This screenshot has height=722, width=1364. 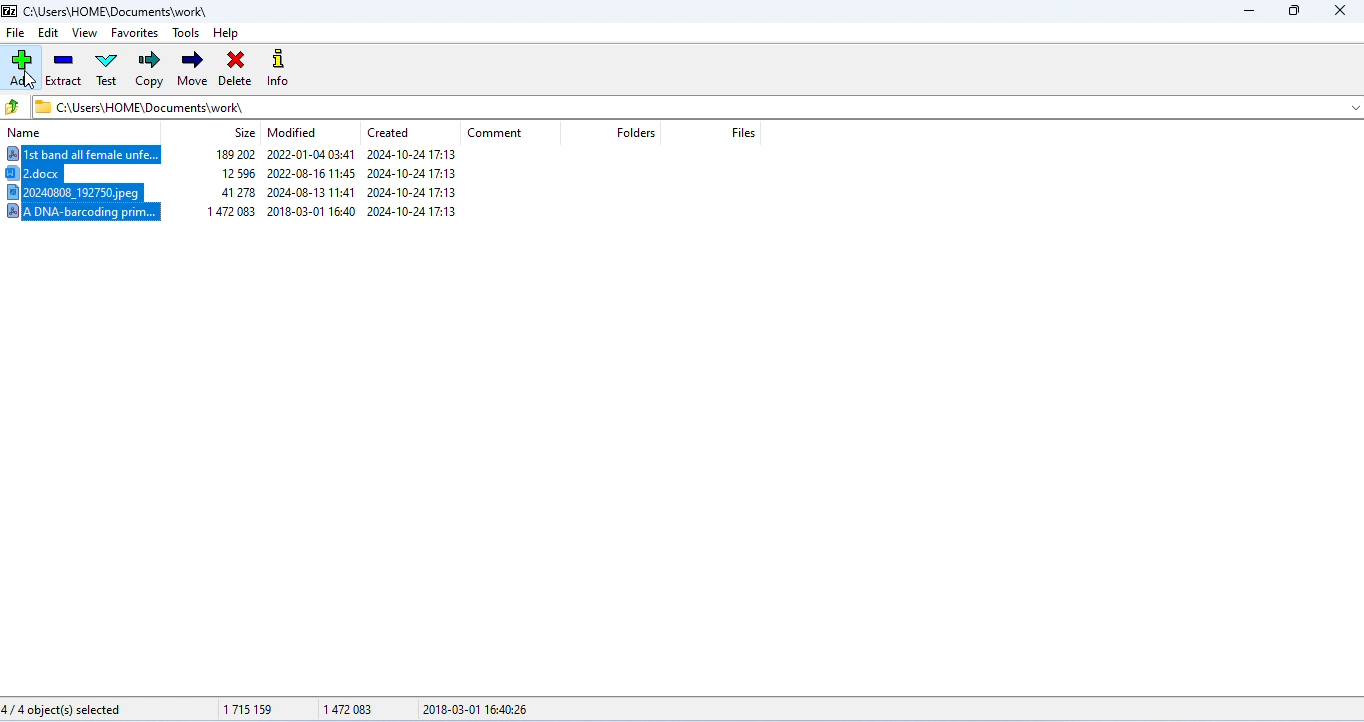 What do you see at coordinates (1338, 11) in the screenshot?
I see `close` at bounding box center [1338, 11].